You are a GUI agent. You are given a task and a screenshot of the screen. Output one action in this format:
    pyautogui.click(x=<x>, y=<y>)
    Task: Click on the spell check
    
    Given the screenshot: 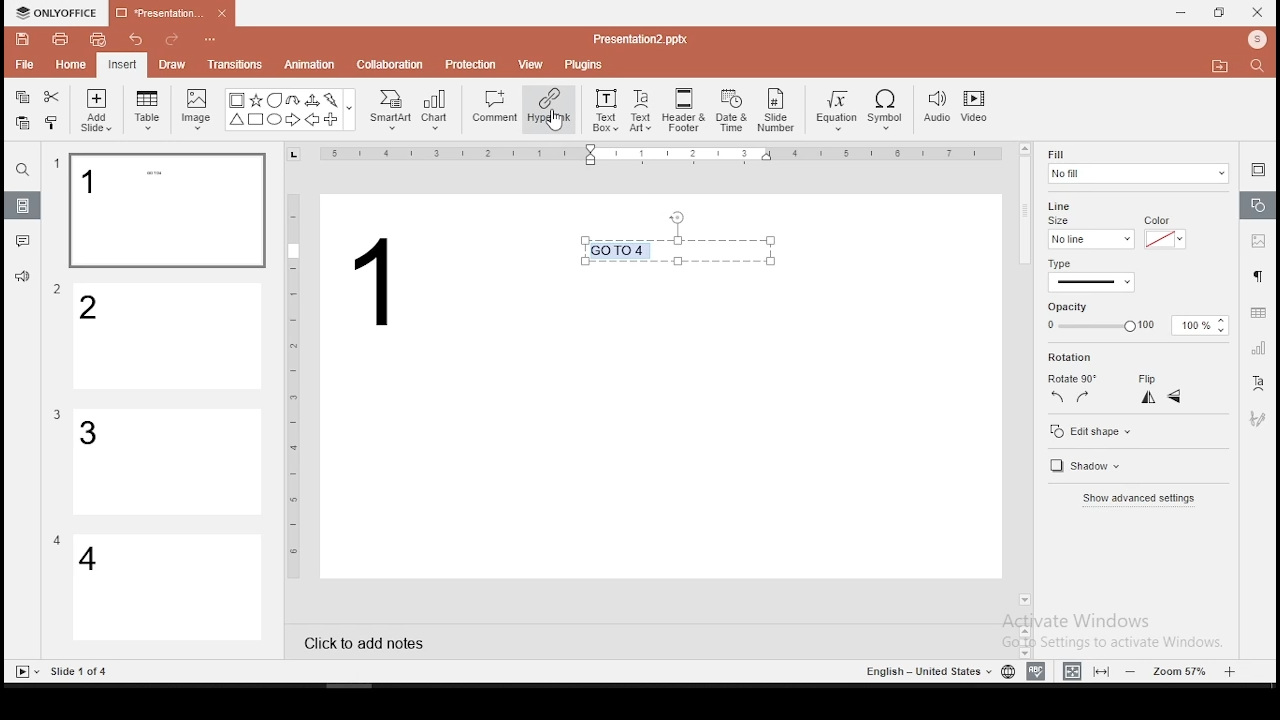 What is the action you would take?
    pyautogui.click(x=1036, y=671)
    